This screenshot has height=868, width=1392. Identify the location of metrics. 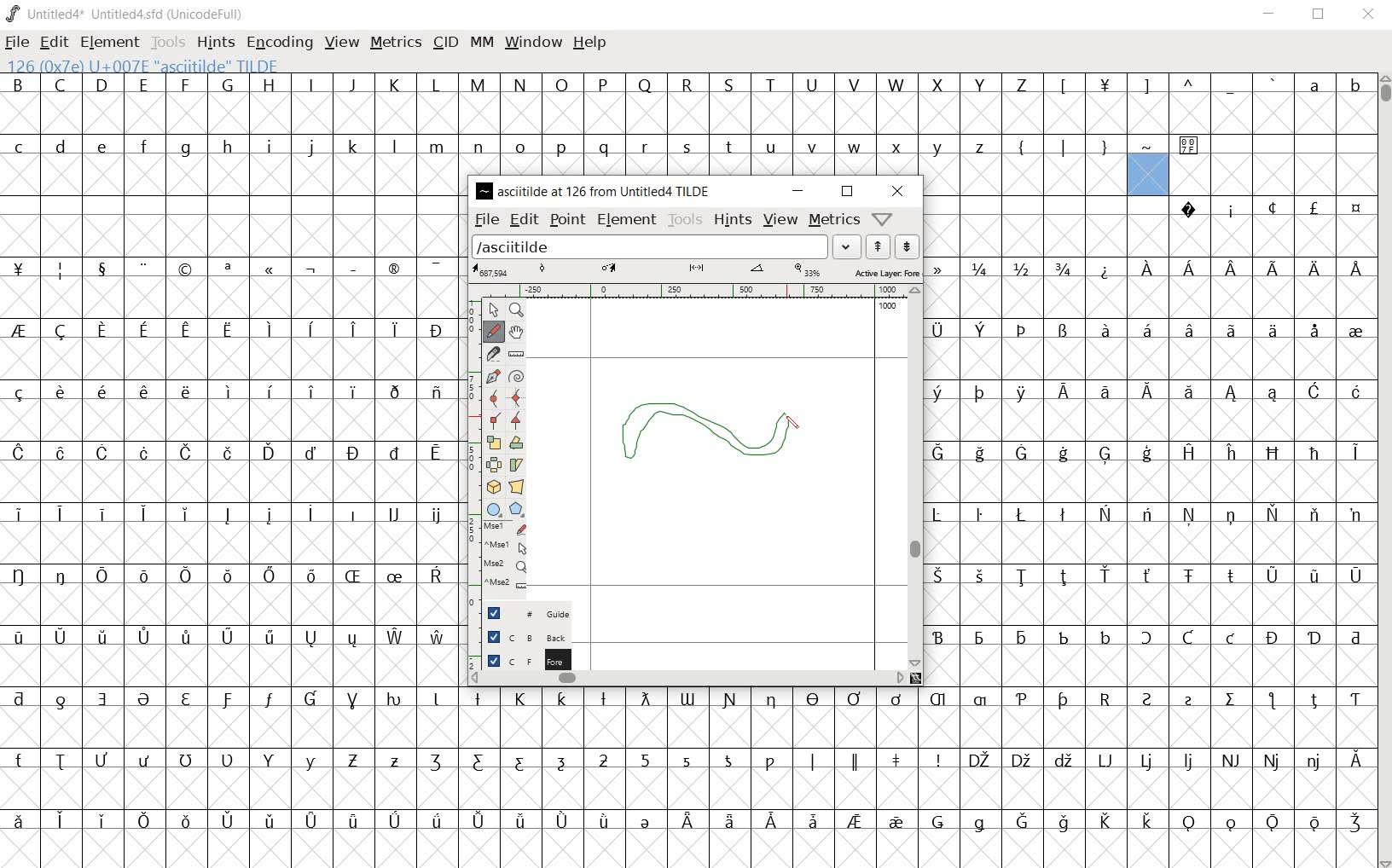
(833, 221).